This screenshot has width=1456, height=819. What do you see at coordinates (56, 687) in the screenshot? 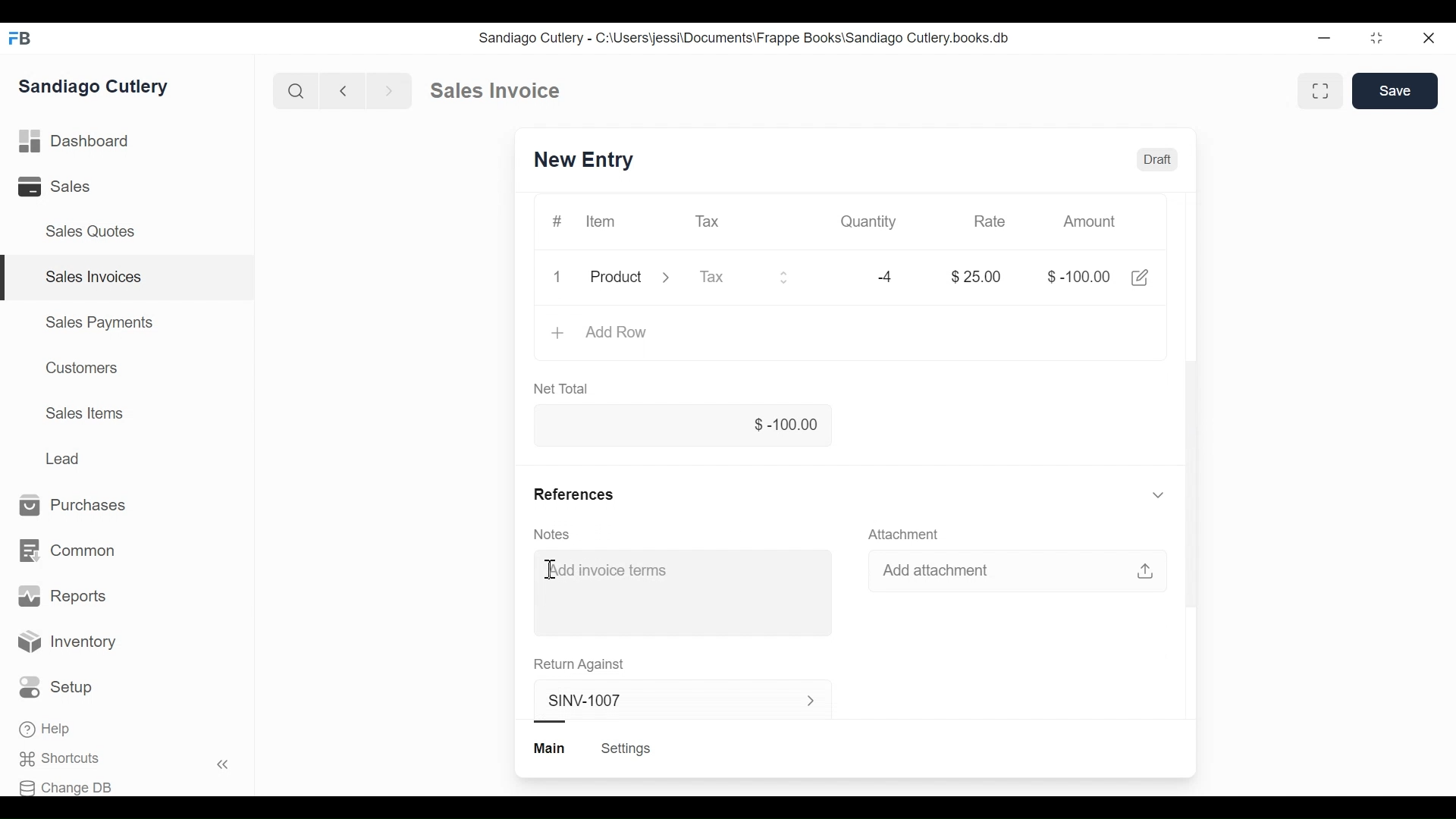
I see `Setup` at bounding box center [56, 687].